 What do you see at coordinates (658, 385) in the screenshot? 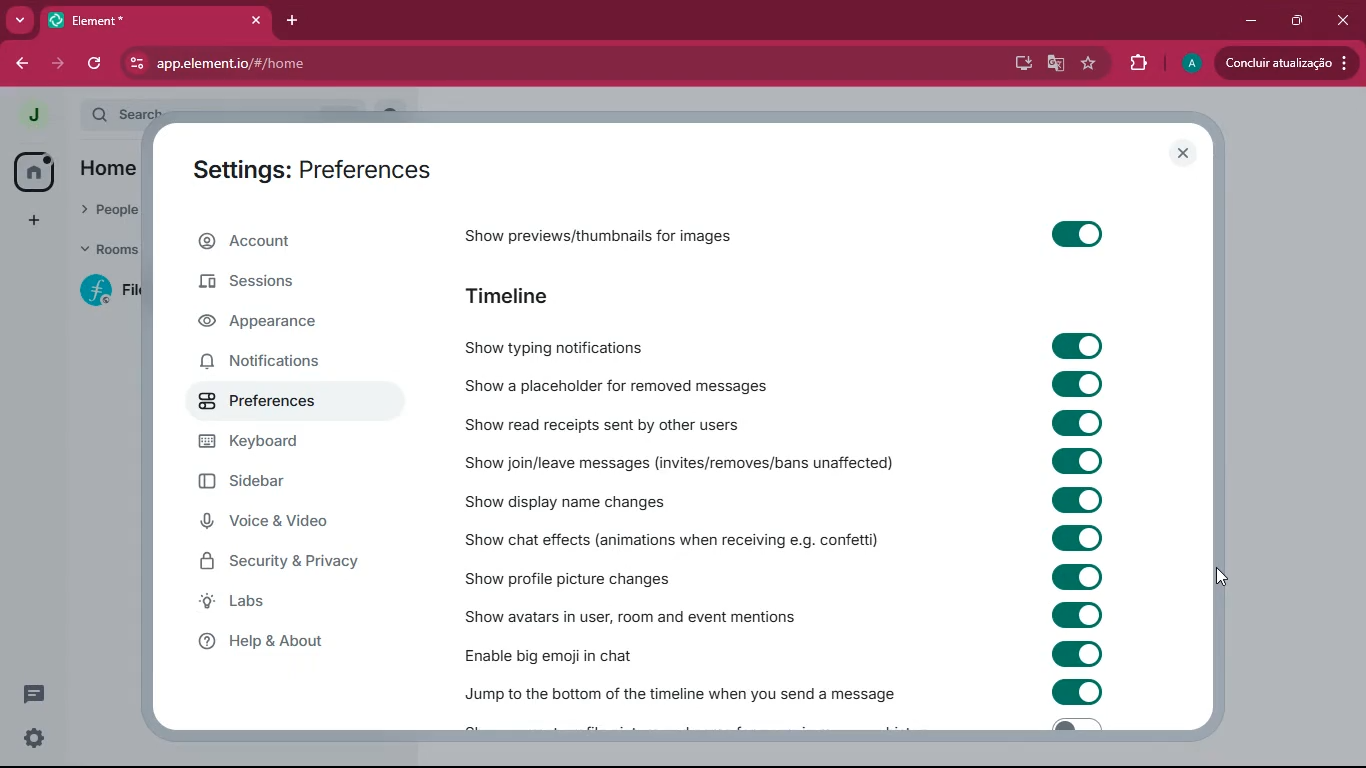
I see `show a placeholder for removed messages` at bounding box center [658, 385].